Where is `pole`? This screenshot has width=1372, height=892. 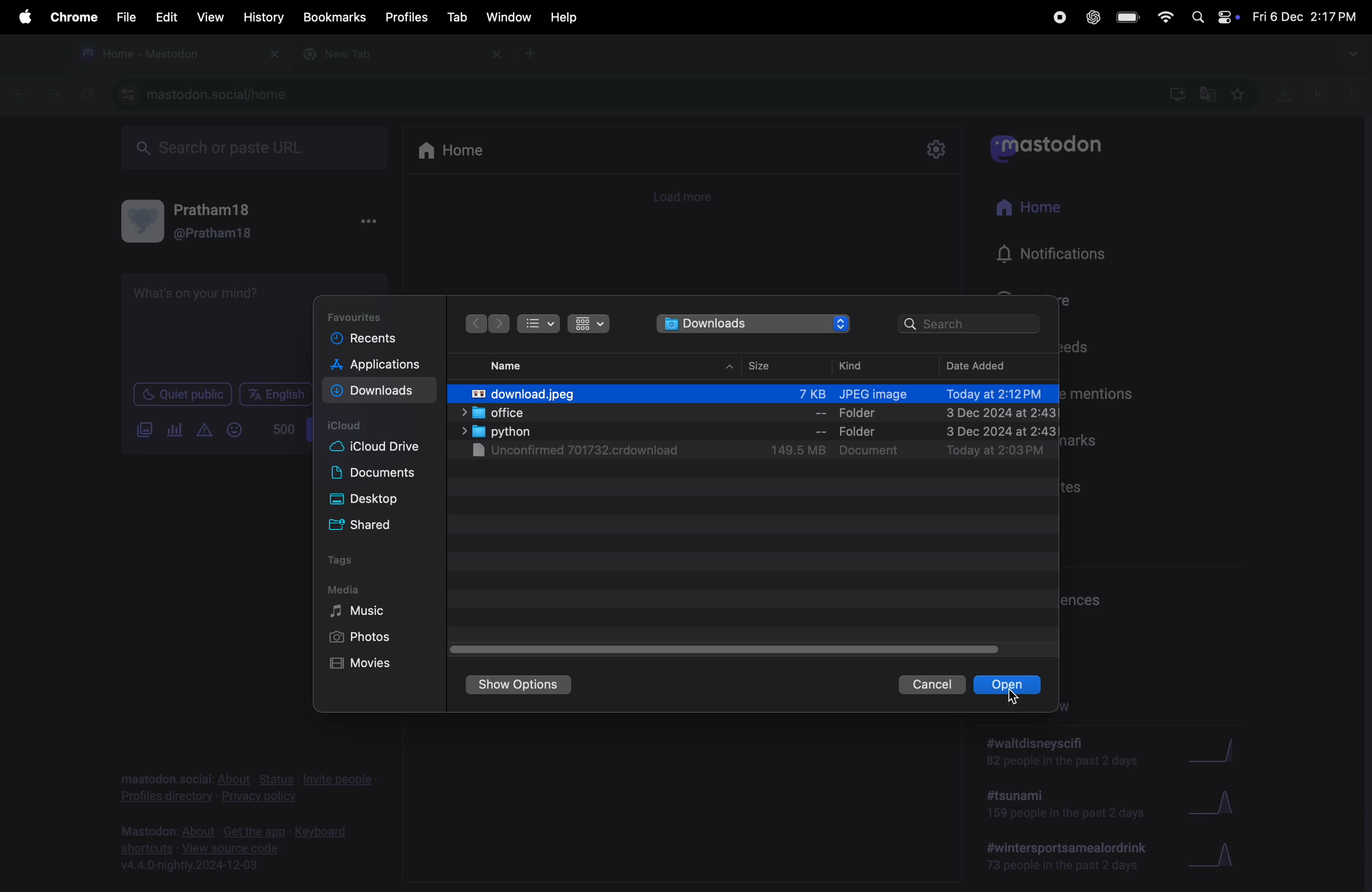 pole is located at coordinates (175, 429).